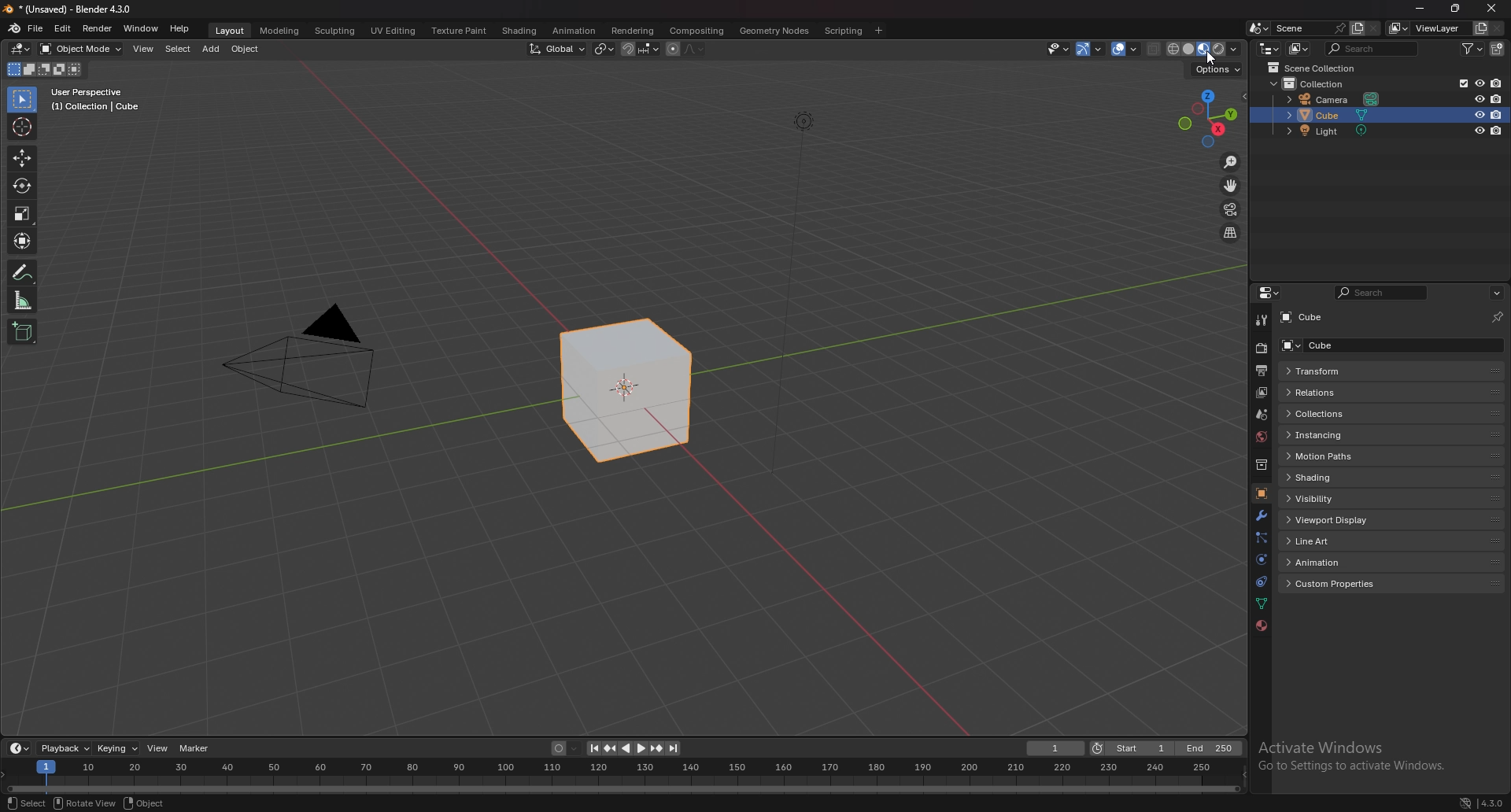 The height and width of the screenshot is (812, 1511). I want to click on new collection, so click(1498, 49).